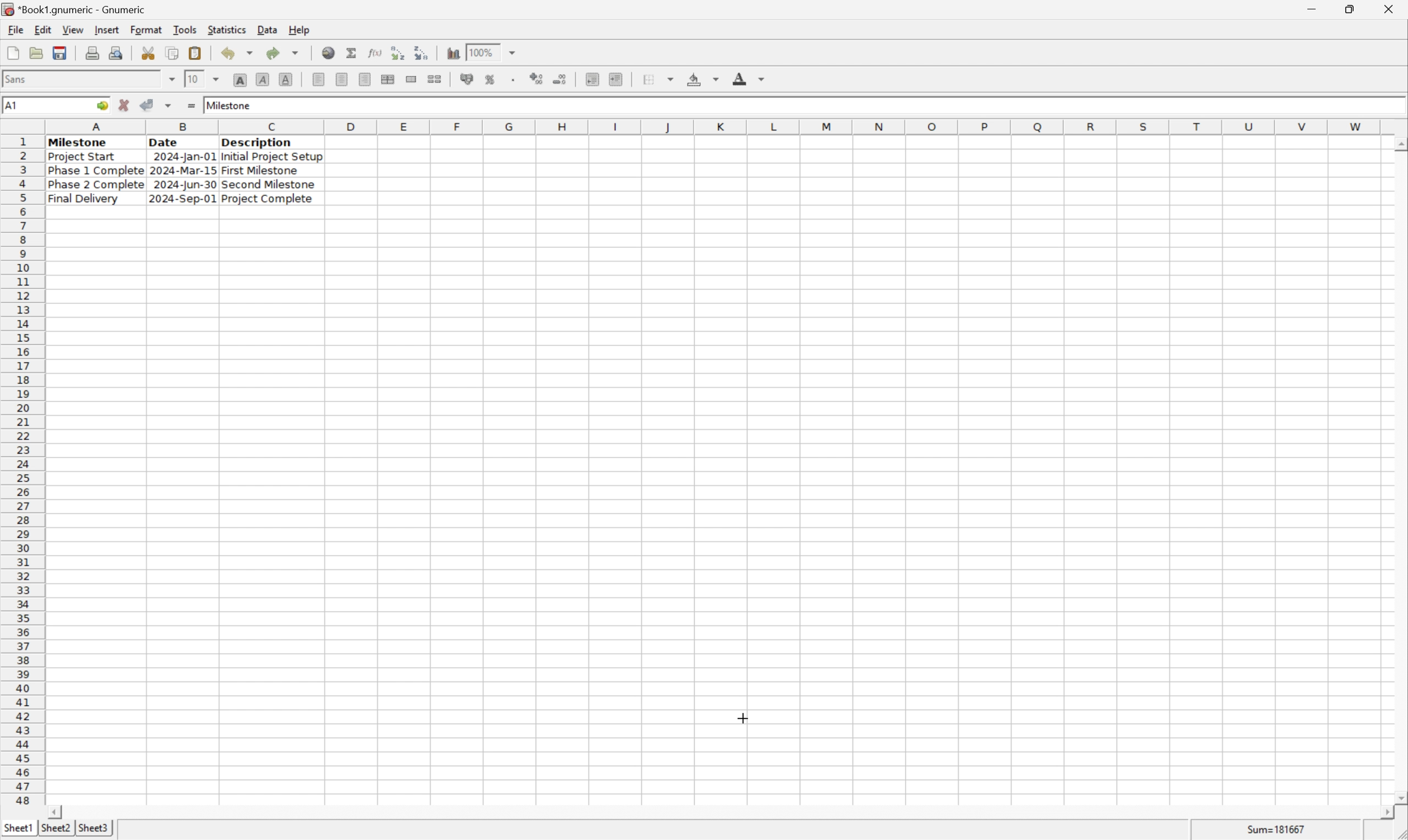 The image size is (1408, 840). What do you see at coordinates (329, 53) in the screenshot?
I see `insert a hyperlink` at bounding box center [329, 53].